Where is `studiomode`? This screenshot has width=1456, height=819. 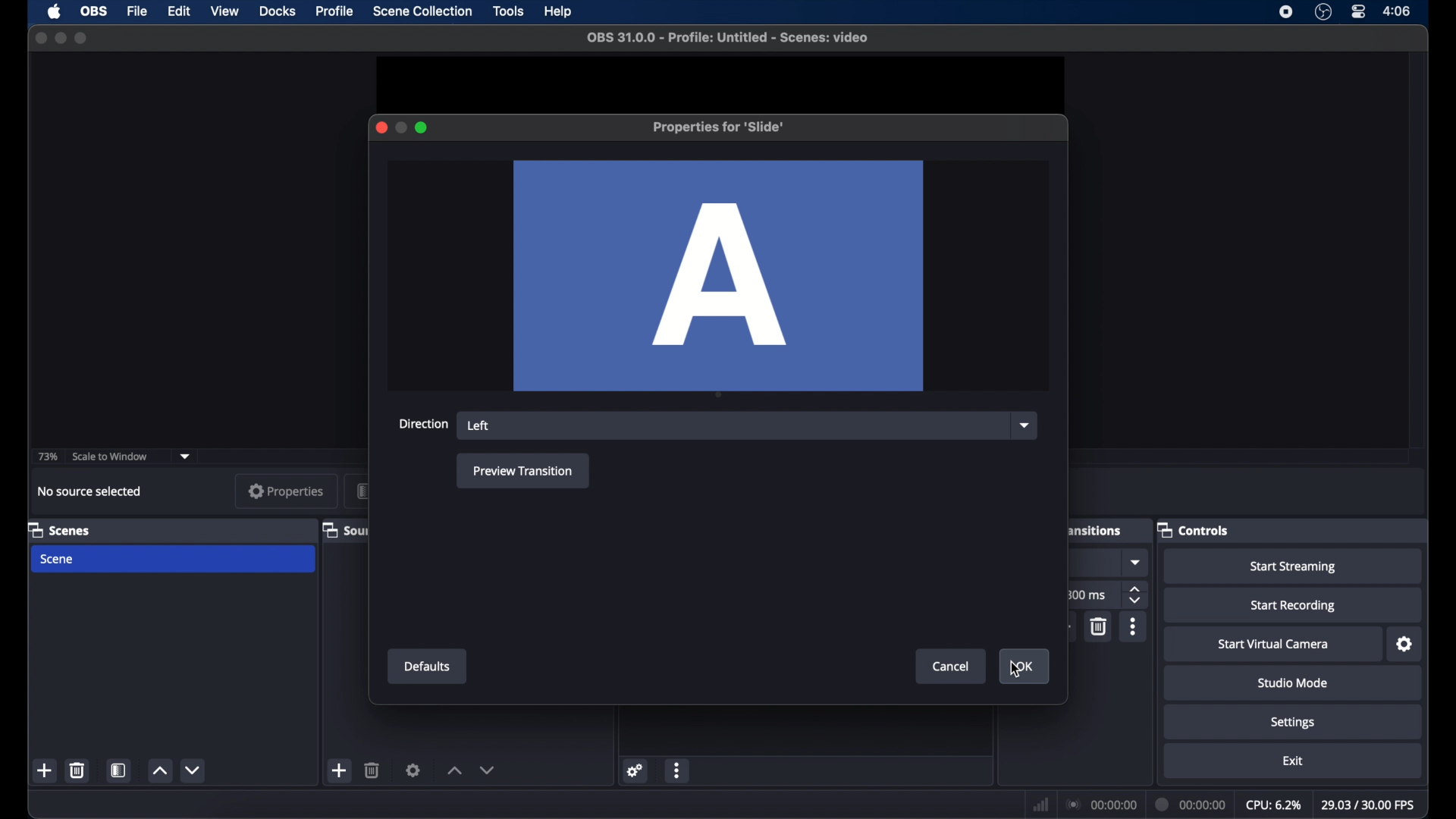
studiomode is located at coordinates (1294, 684).